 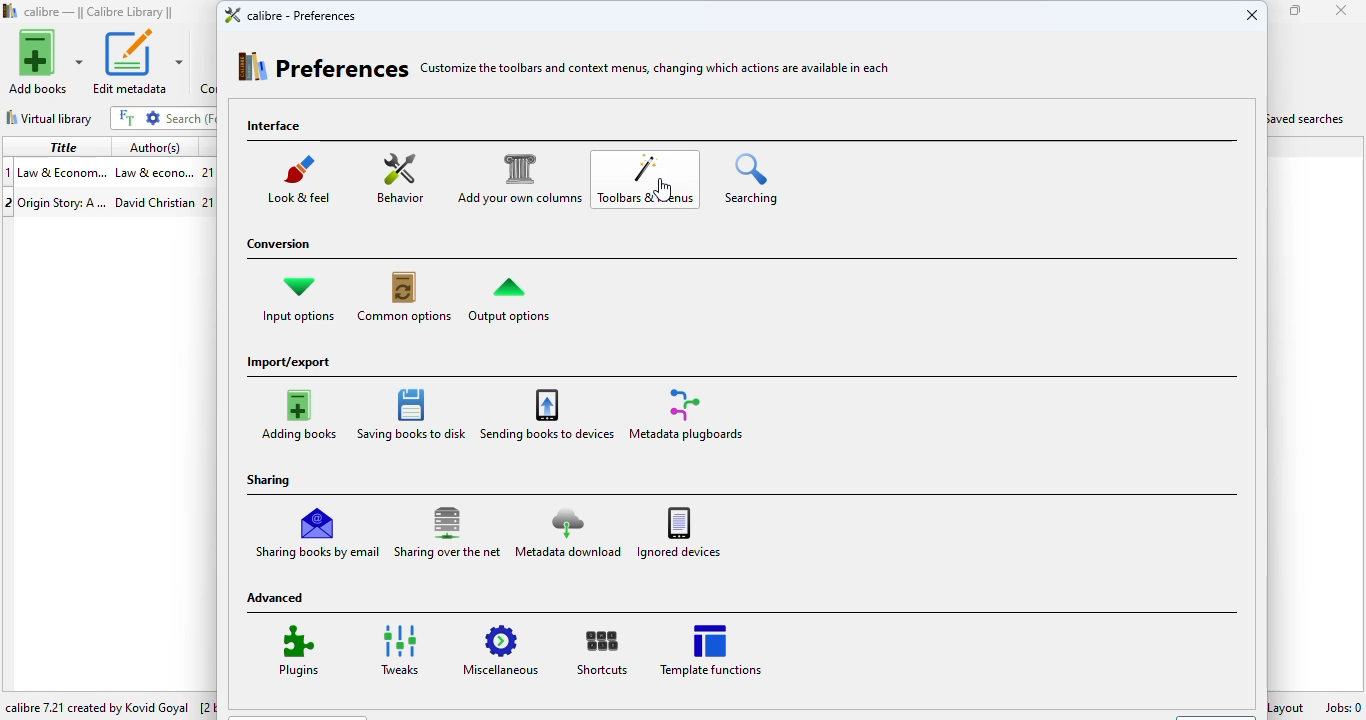 I want to click on import/export, so click(x=289, y=363).